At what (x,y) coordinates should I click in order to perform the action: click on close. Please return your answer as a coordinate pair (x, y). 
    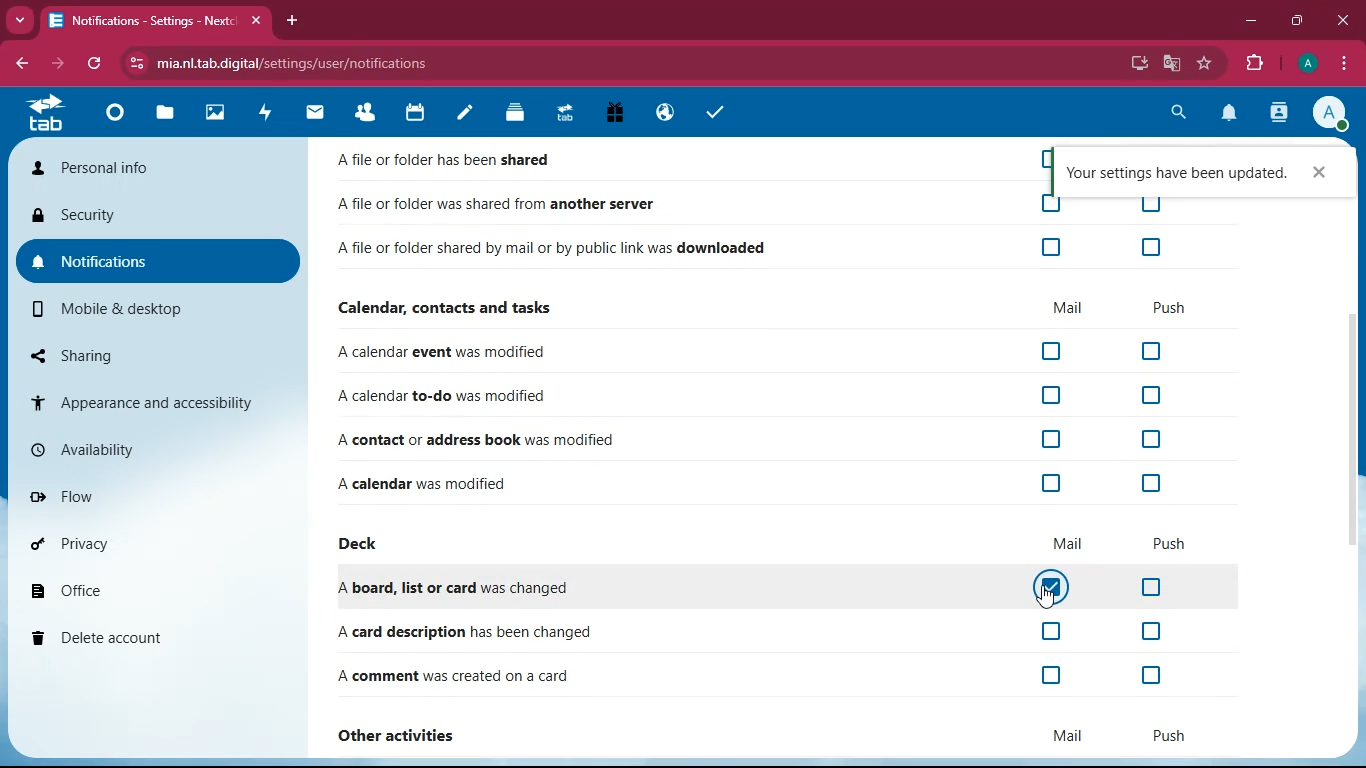
    Looking at the image, I should click on (1342, 20).